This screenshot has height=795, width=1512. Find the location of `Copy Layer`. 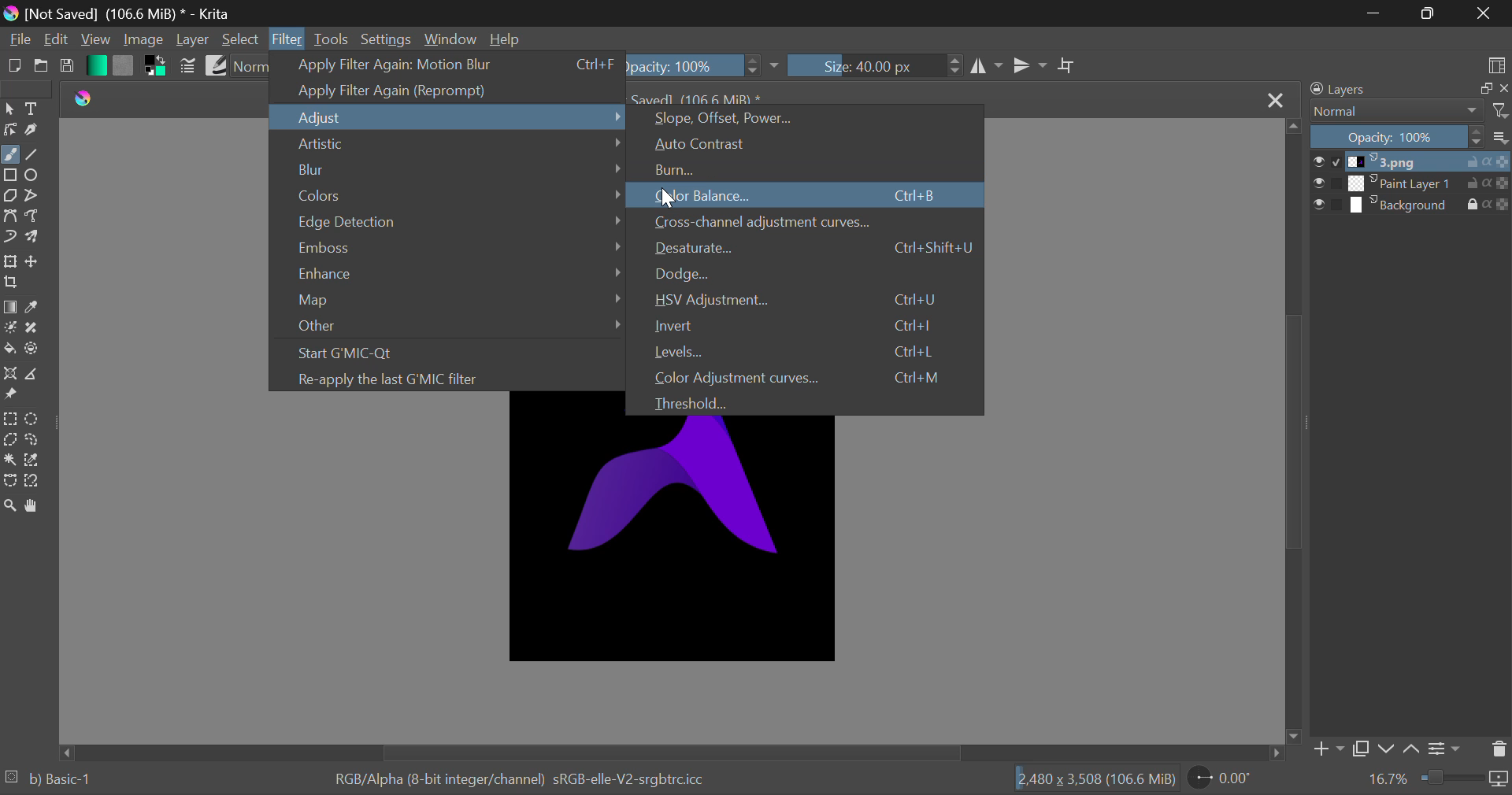

Copy Layer is located at coordinates (1365, 749).